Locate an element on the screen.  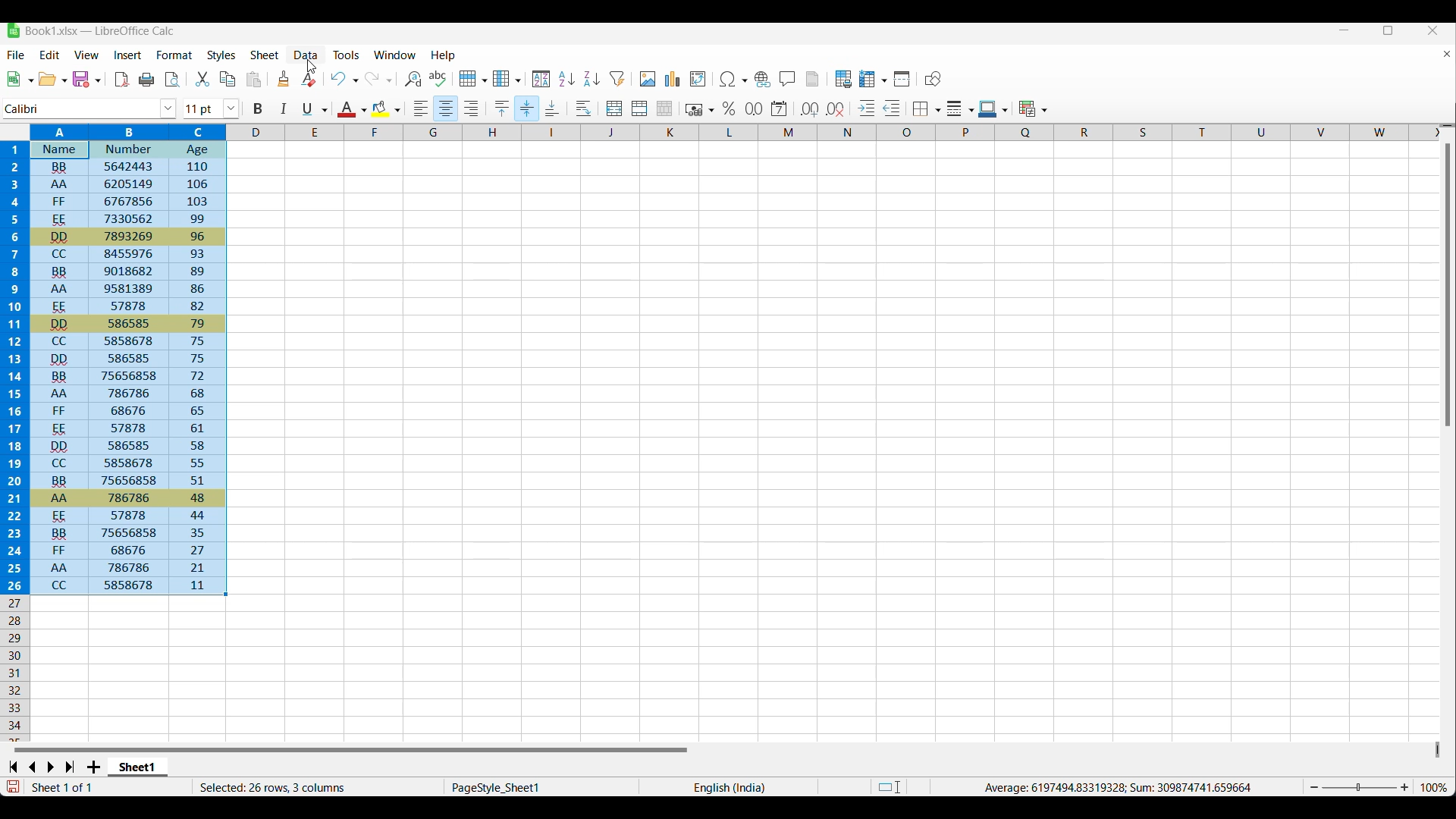
Increase indentation is located at coordinates (868, 108).